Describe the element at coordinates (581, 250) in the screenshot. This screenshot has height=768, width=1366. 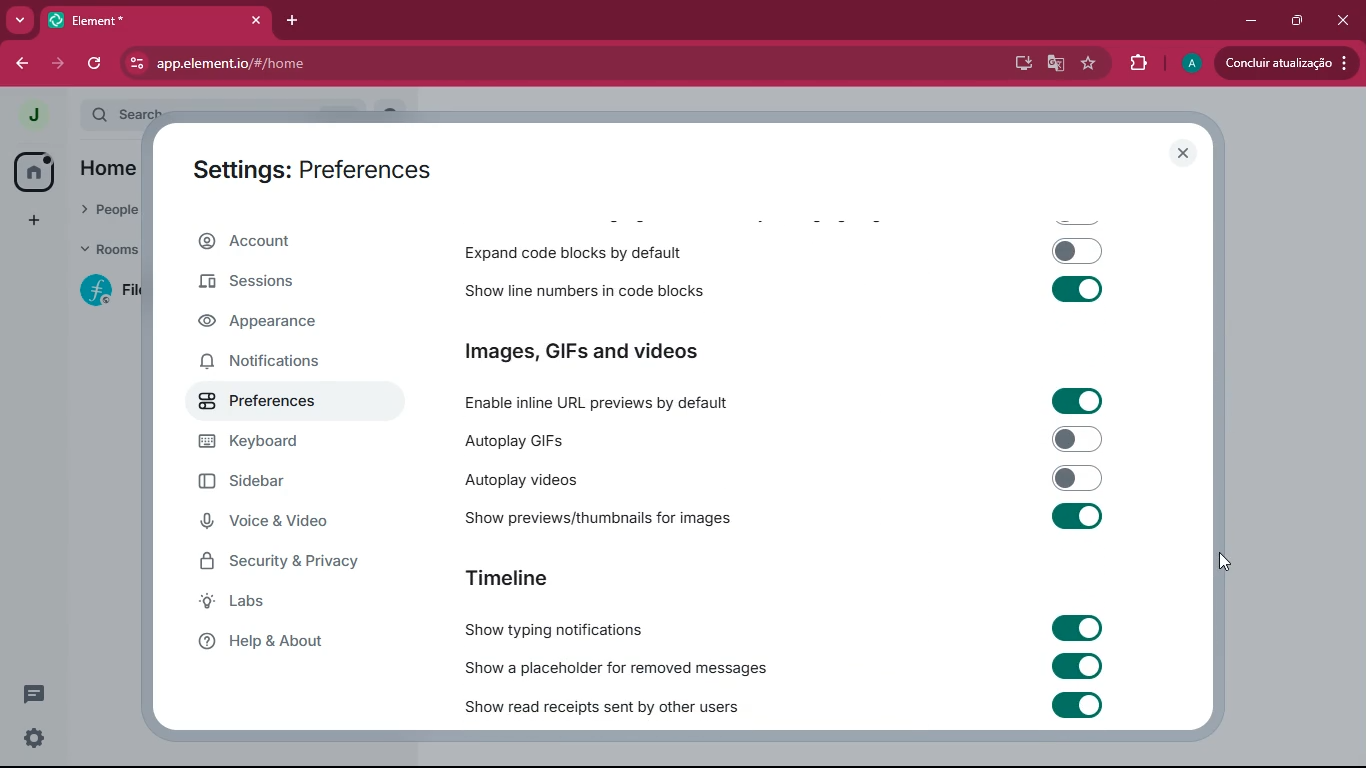
I see `expand code blocks by default` at that location.